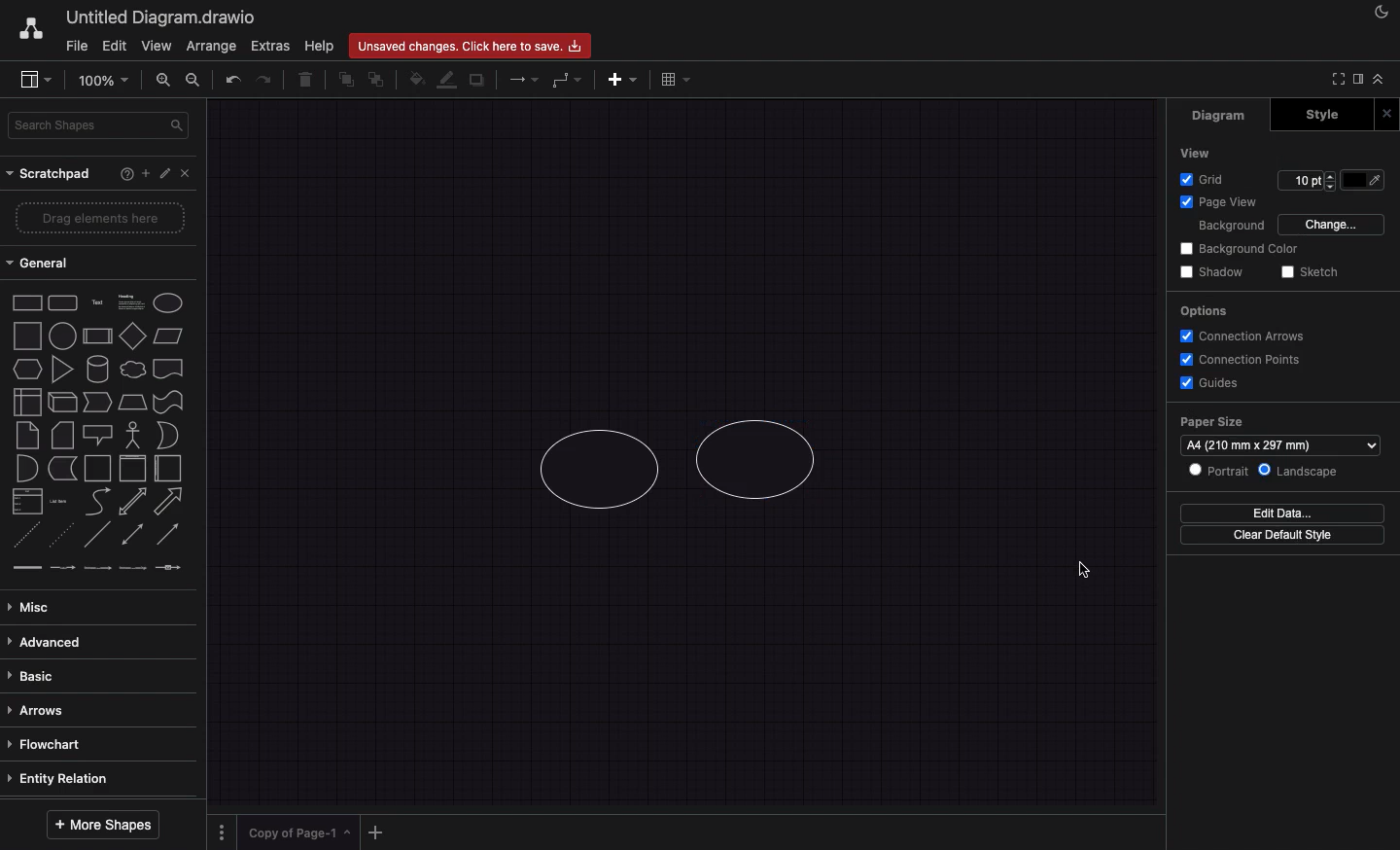 The width and height of the screenshot is (1400, 850). Describe the element at coordinates (158, 45) in the screenshot. I see `view` at that location.